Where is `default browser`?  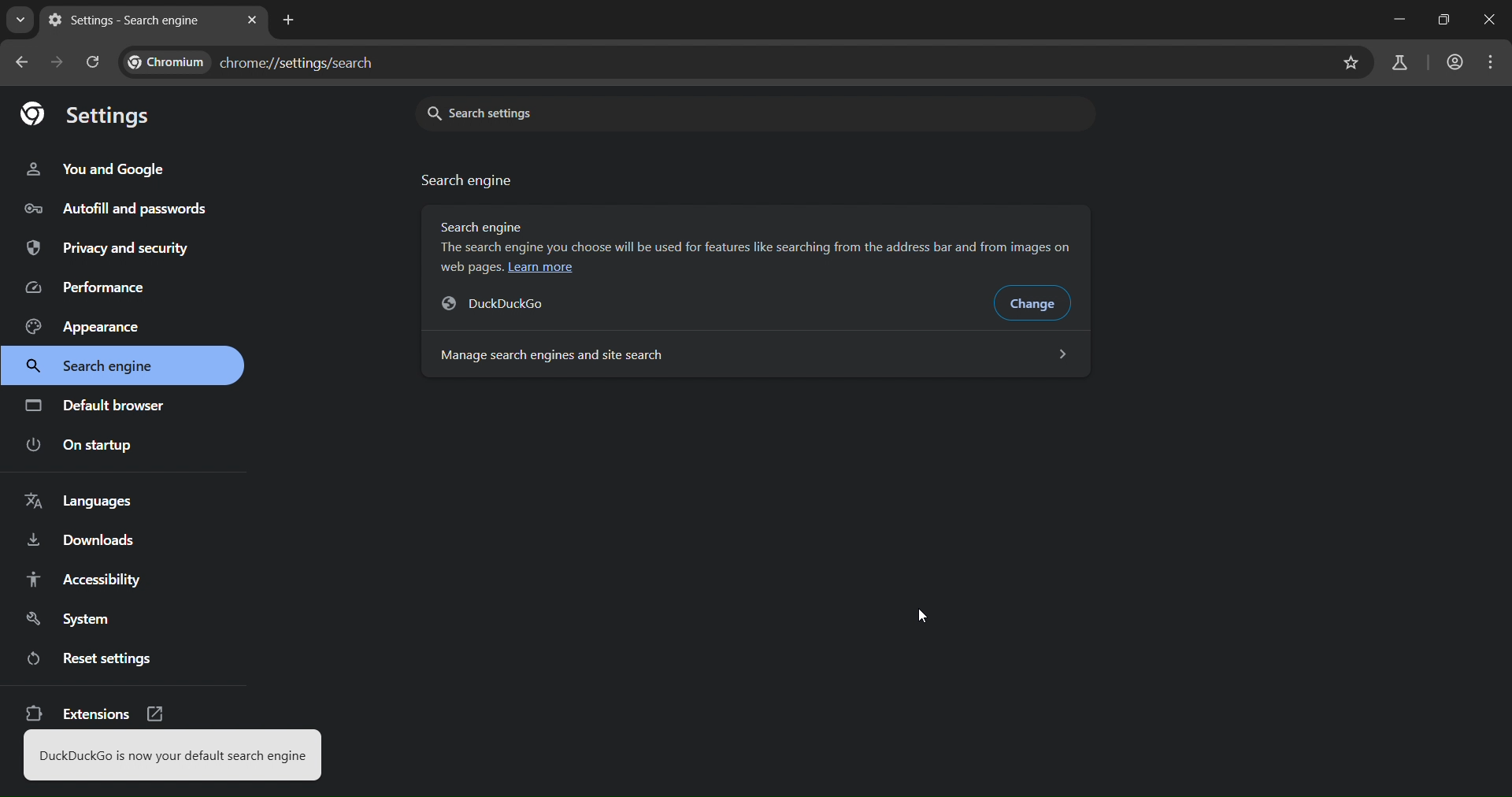 default browser is located at coordinates (98, 405).